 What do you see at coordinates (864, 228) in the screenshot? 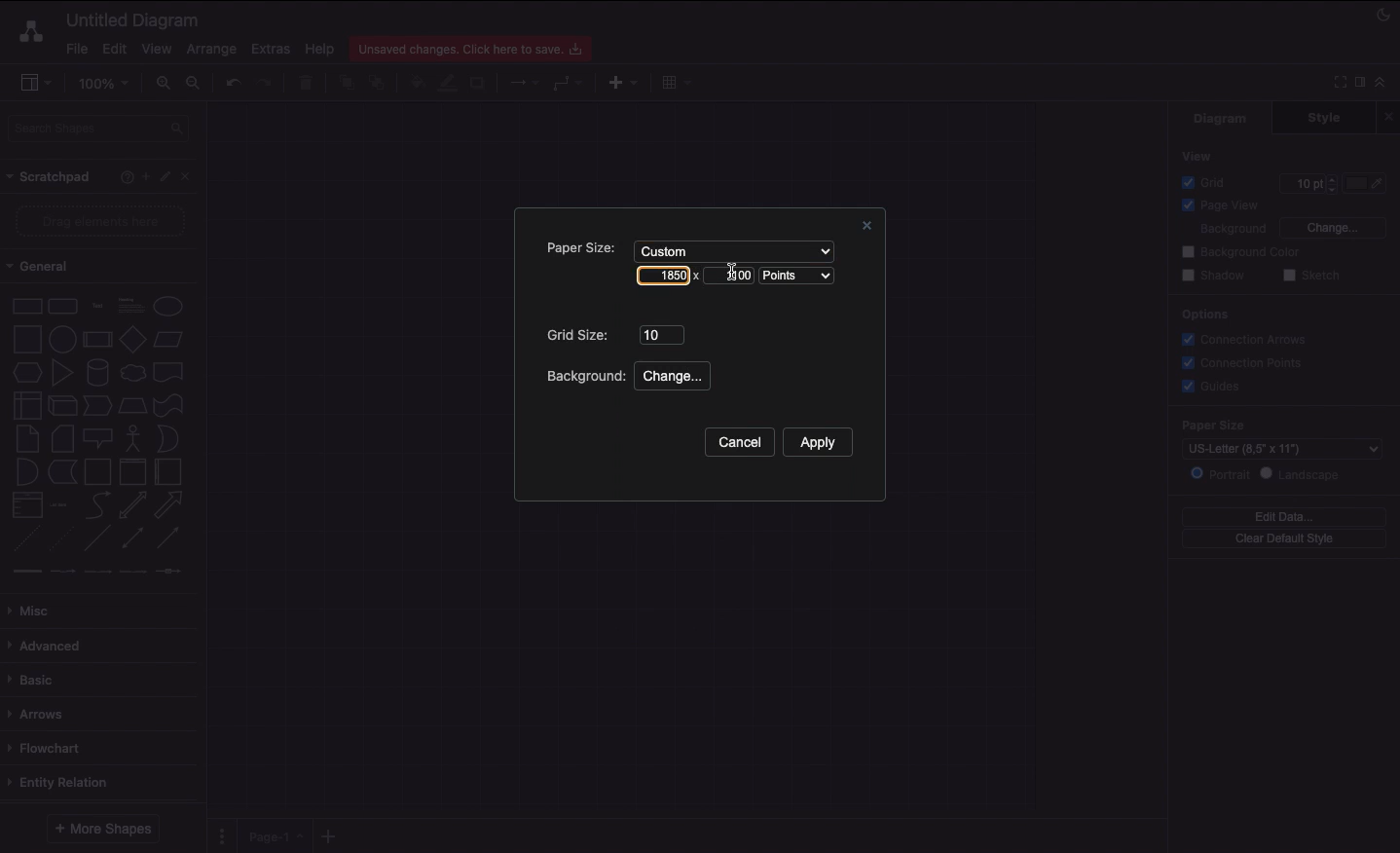
I see `Close` at bounding box center [864, 228].